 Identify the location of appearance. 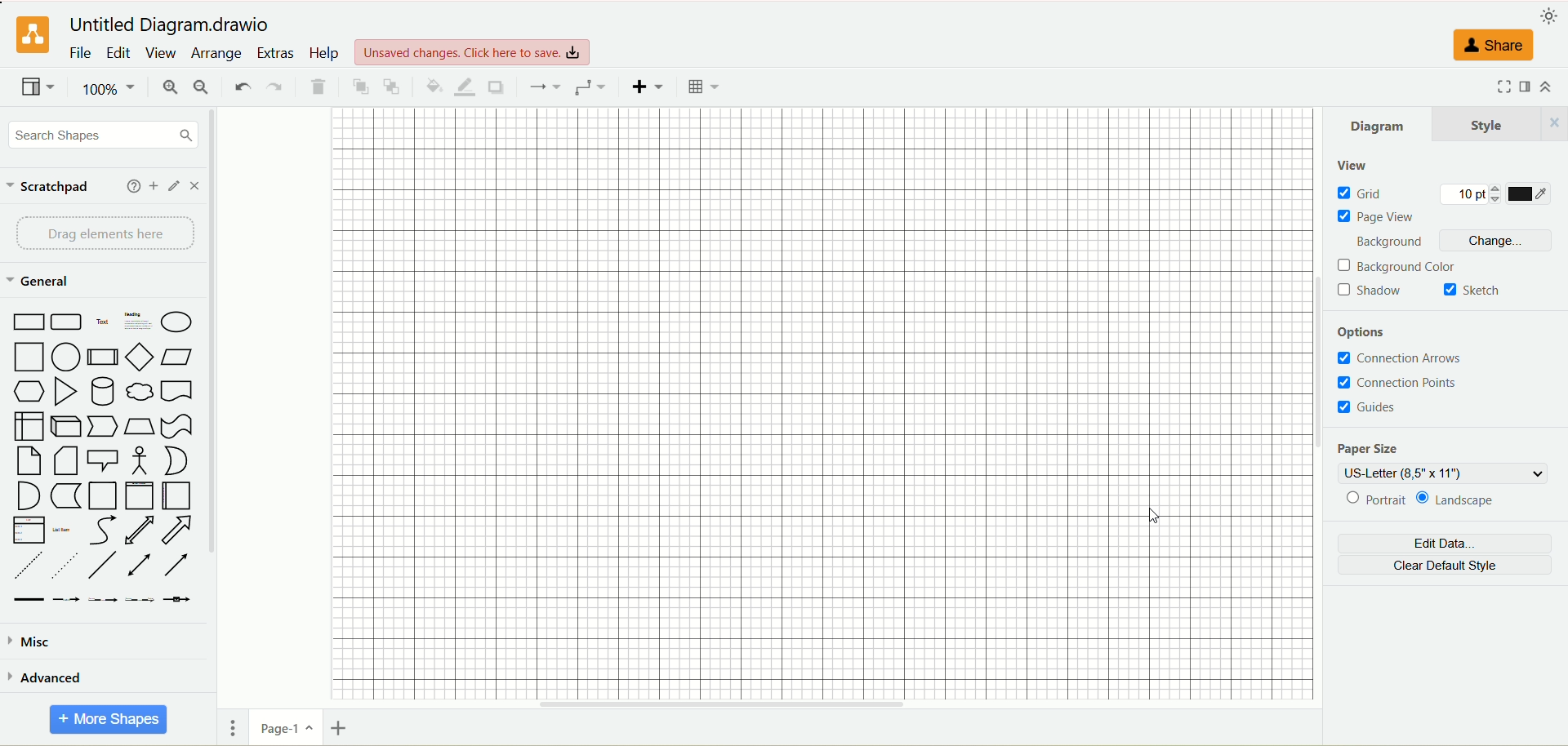
(1550, 16).